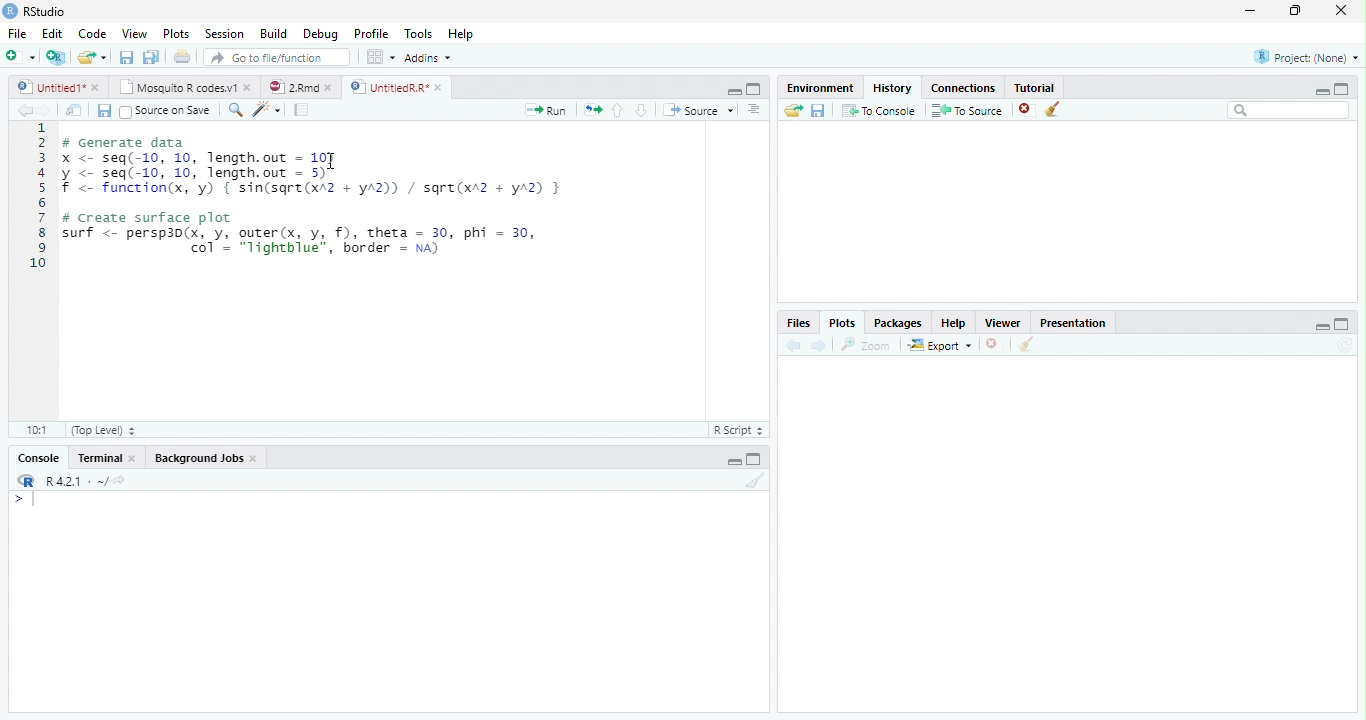  Describe the element at coordinates (34, 11) in the screenshot. I see `RStudio` at that location.